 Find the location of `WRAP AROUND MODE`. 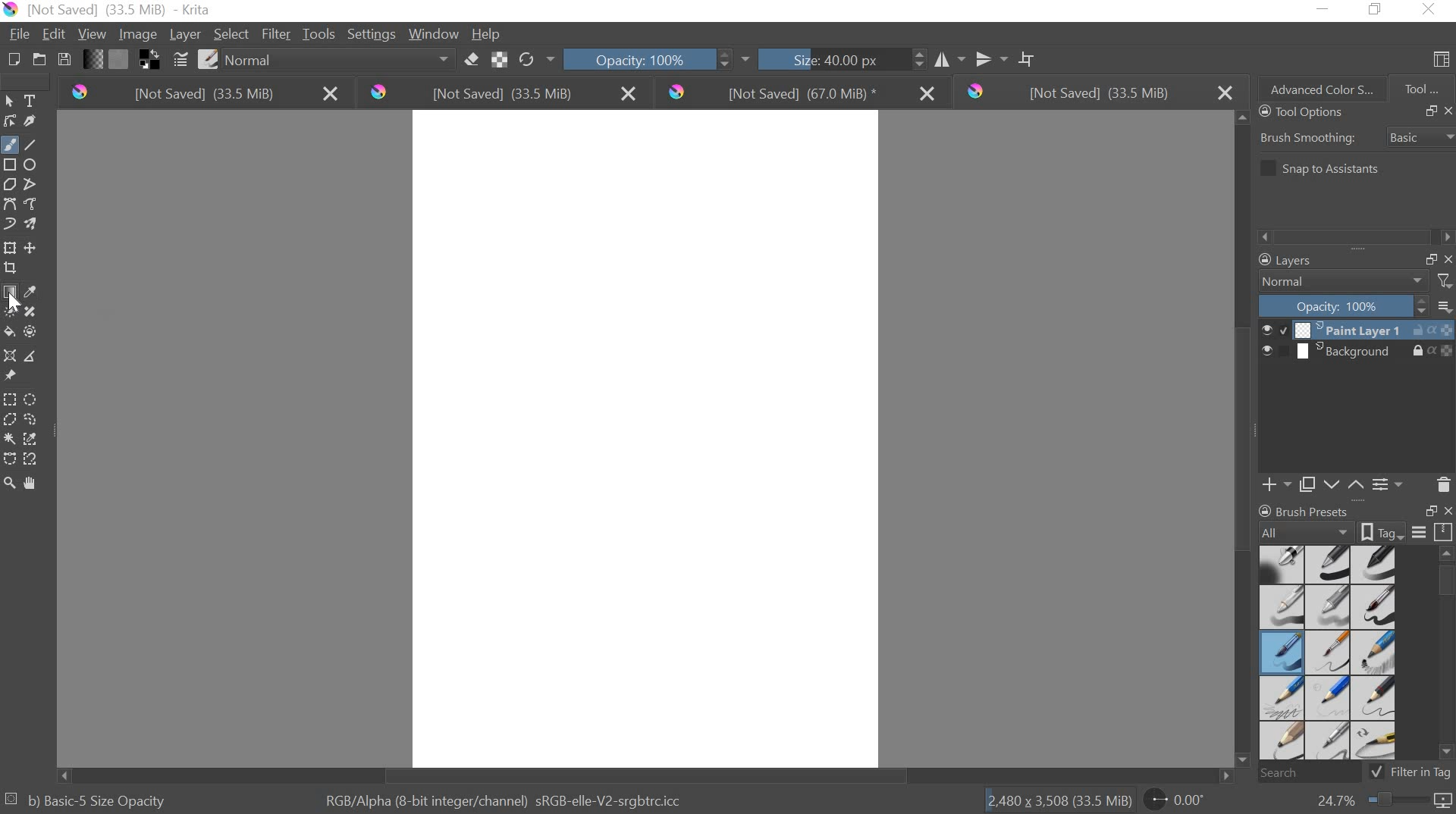

WRAP AROUND MODE is located at coordinates (1032, 56).